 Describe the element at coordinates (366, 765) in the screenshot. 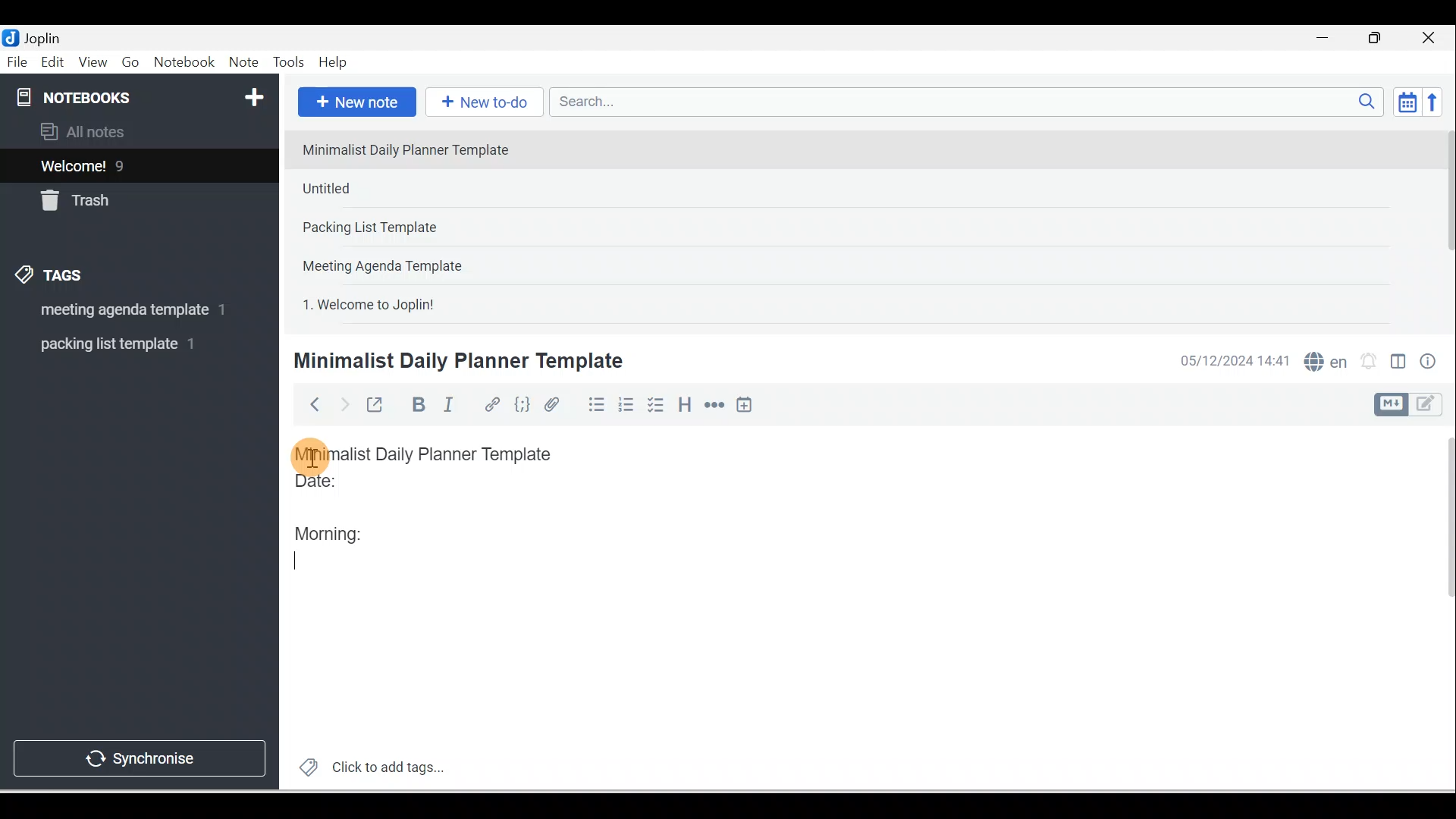

I see `Click to add tags` at that location.